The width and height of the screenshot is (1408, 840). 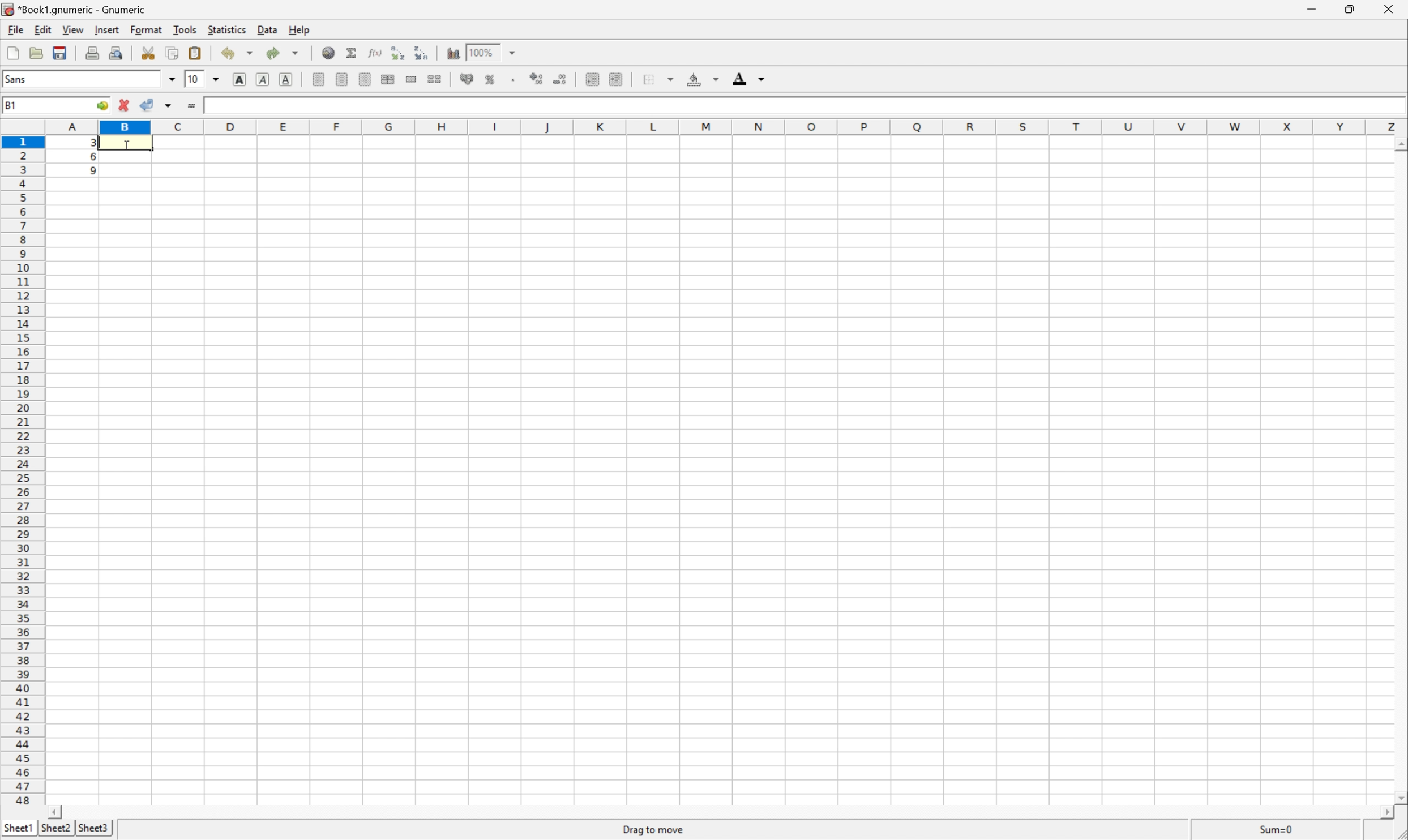 What do you see at coordinates (185, 28) in the screenshot?
I see `Tools` at bounding box center [185, 28].